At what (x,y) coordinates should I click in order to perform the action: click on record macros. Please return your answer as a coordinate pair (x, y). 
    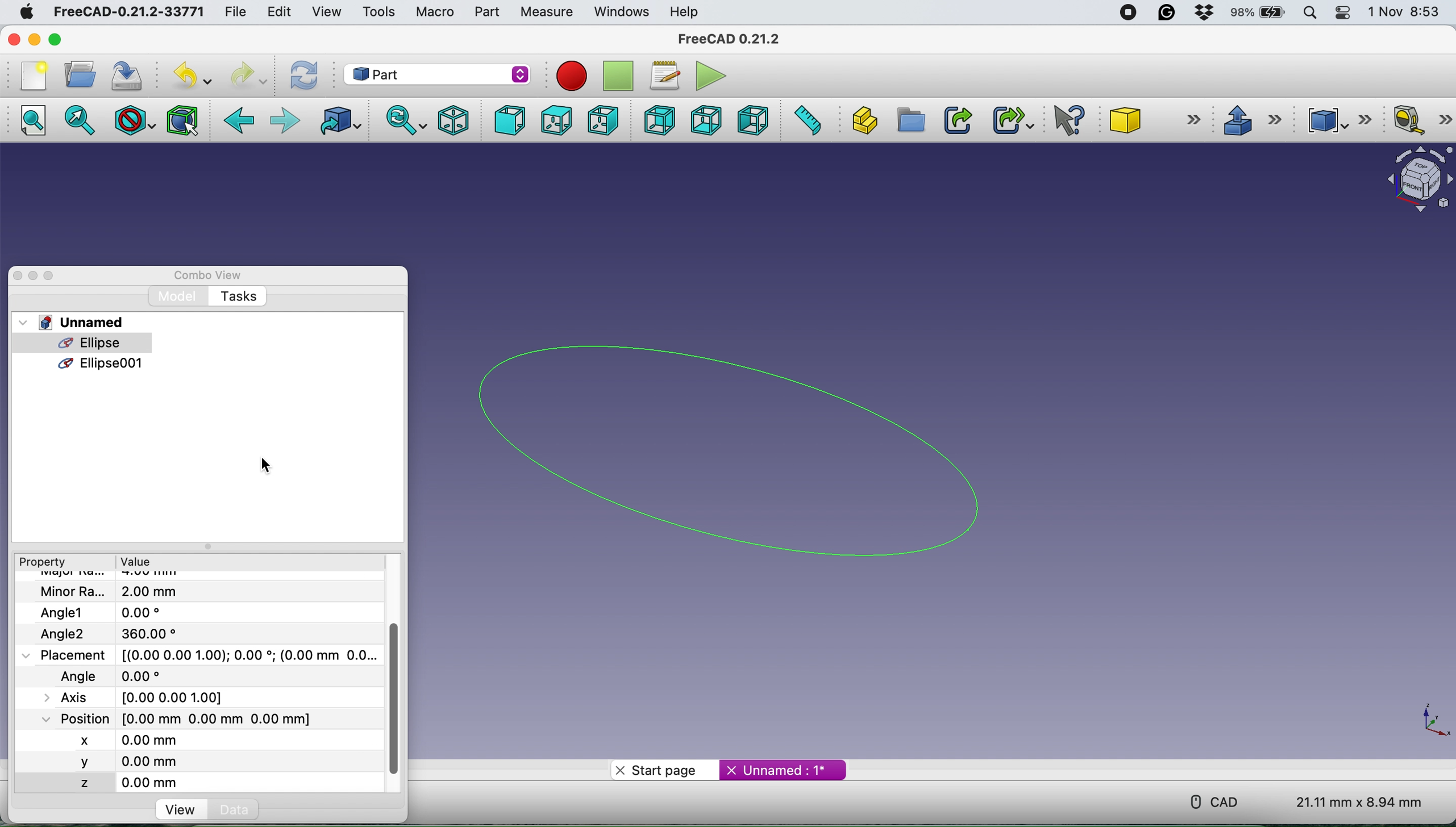
    Looking at the image, I should click on (571, 75).